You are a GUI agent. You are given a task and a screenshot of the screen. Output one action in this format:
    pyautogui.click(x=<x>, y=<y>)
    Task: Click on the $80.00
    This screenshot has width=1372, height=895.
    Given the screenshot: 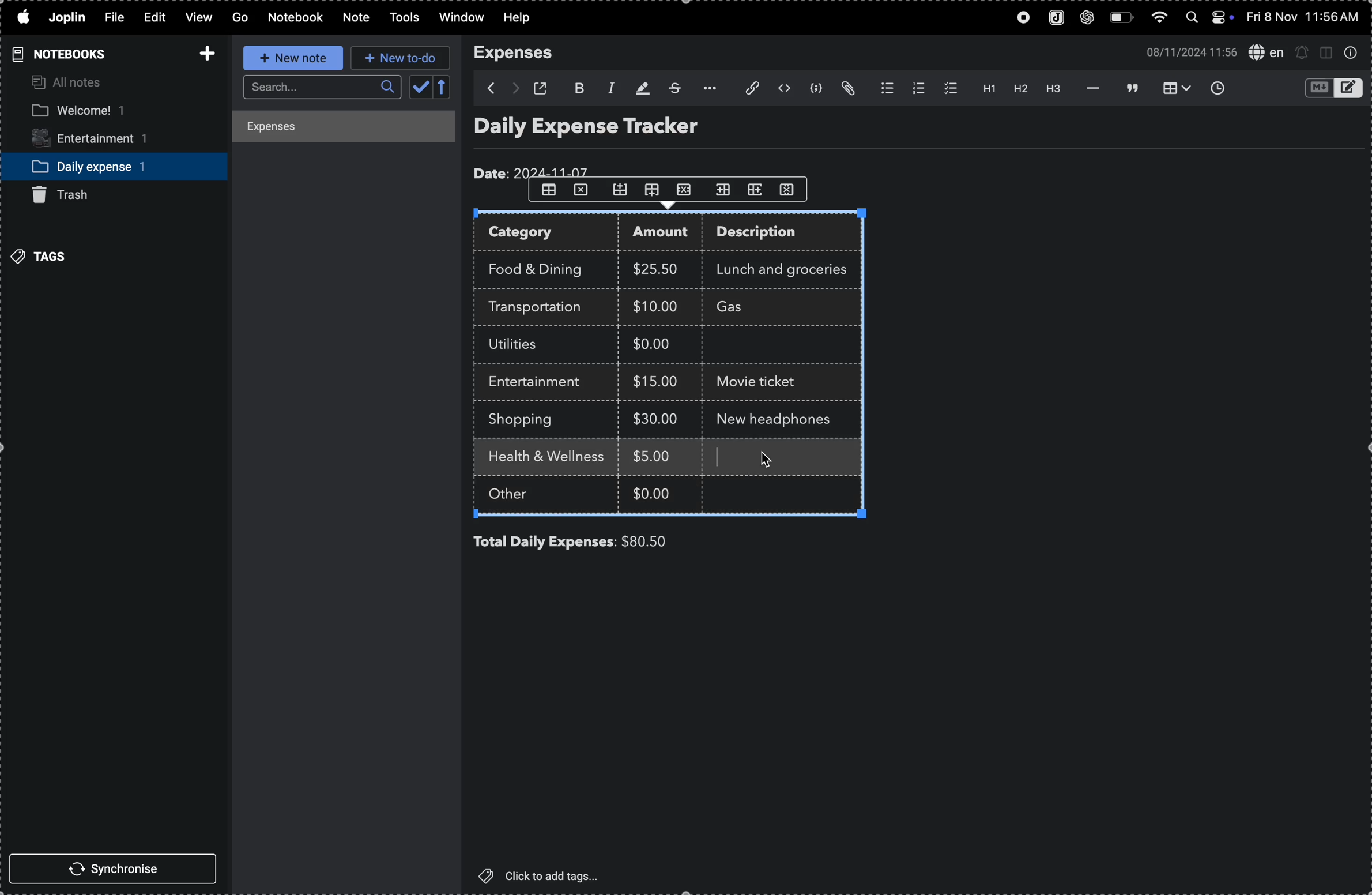 What is the action you would take?
    pyautogui.click(x=664, y=541)
    